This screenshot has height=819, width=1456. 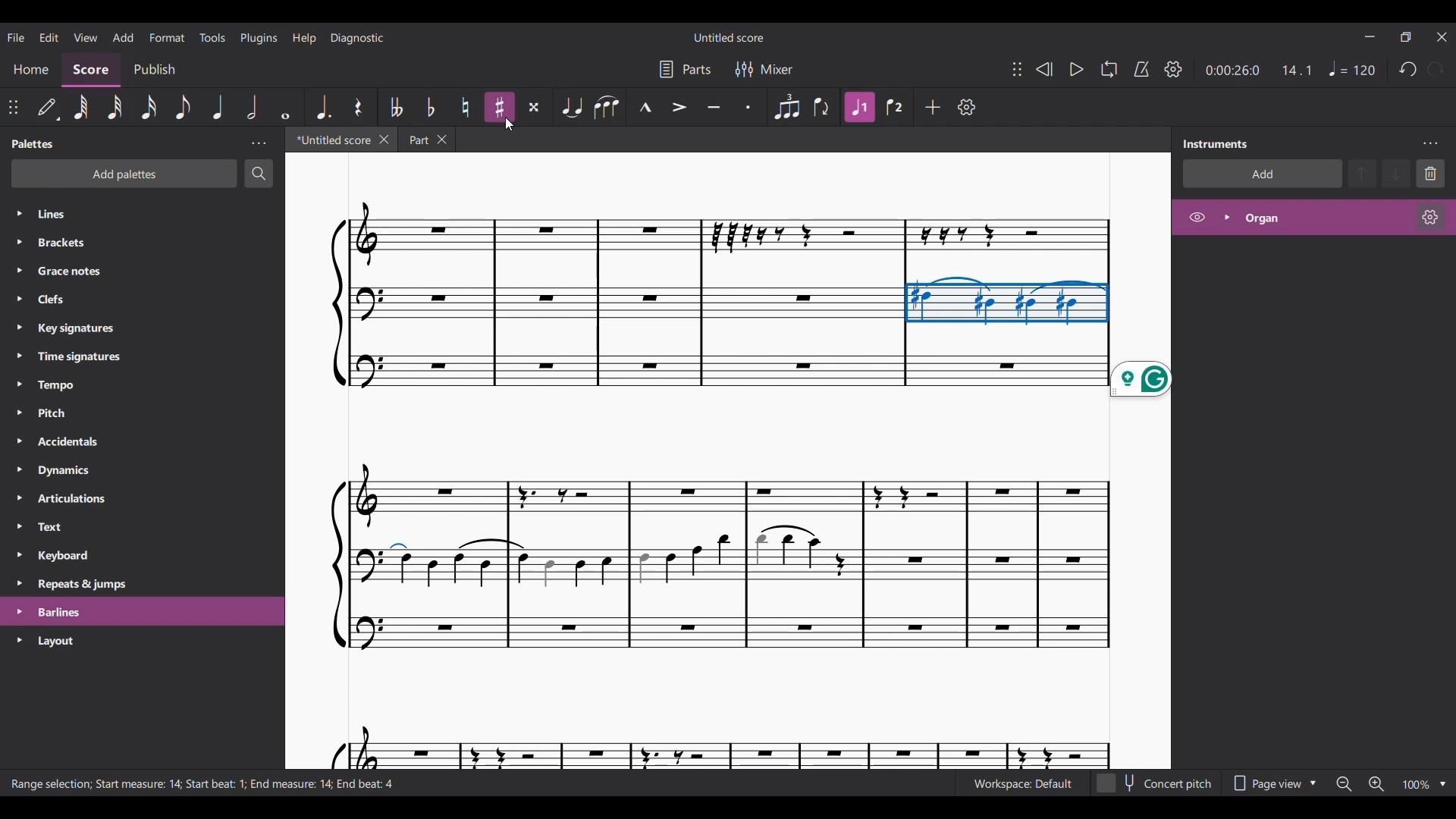 What do you see at coordinates (394, 106) in the screenshot?
I see `Toggle double flat` at bounding box center [394, 106].